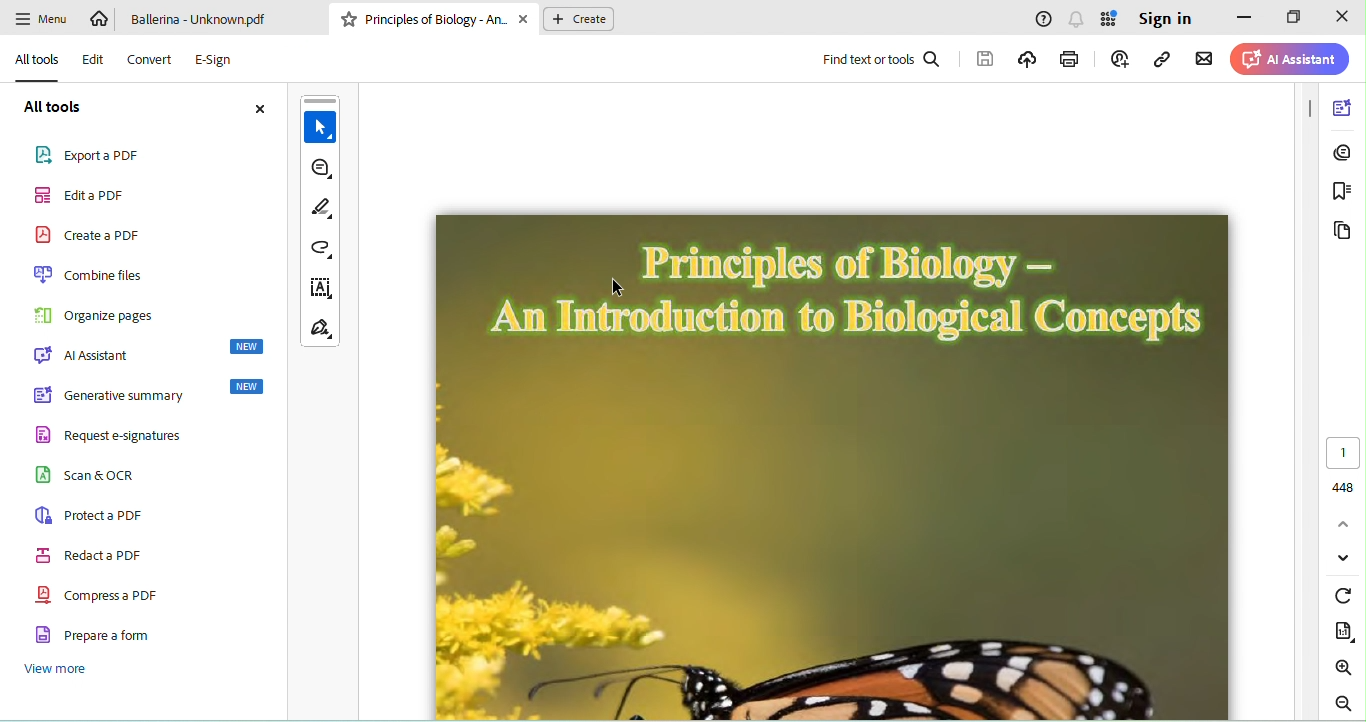 Image resolution: width=1366 pixels, height=722 pixels. What do you see at coordinates (624, 288) in the screenshot?
I see `cursor` at bounding box center [624, 288].